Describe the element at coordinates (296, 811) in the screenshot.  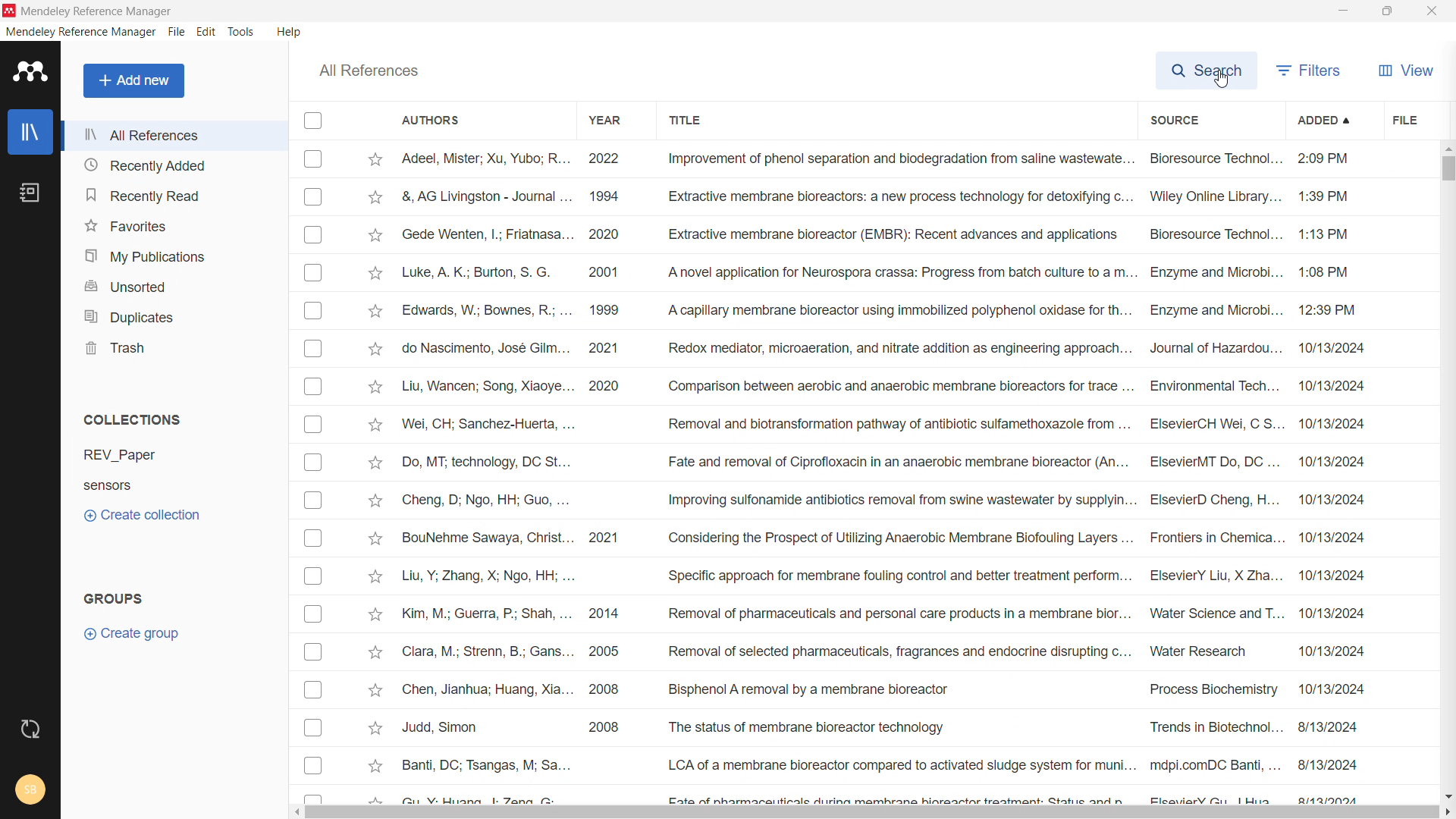
I see `scroll left` at that location.